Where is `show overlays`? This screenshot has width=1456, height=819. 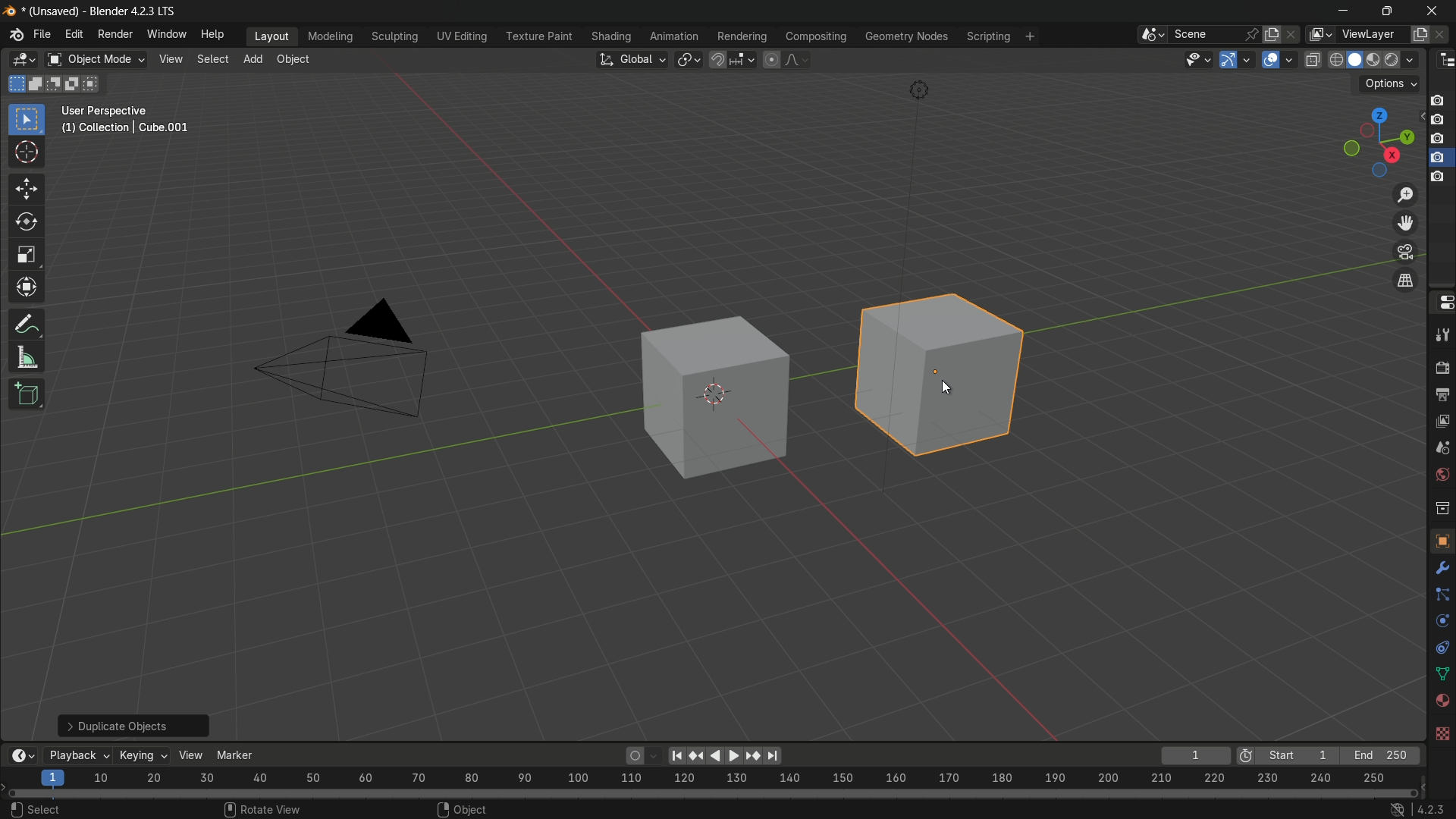 show overlays is located at coordinates (1270, 59).